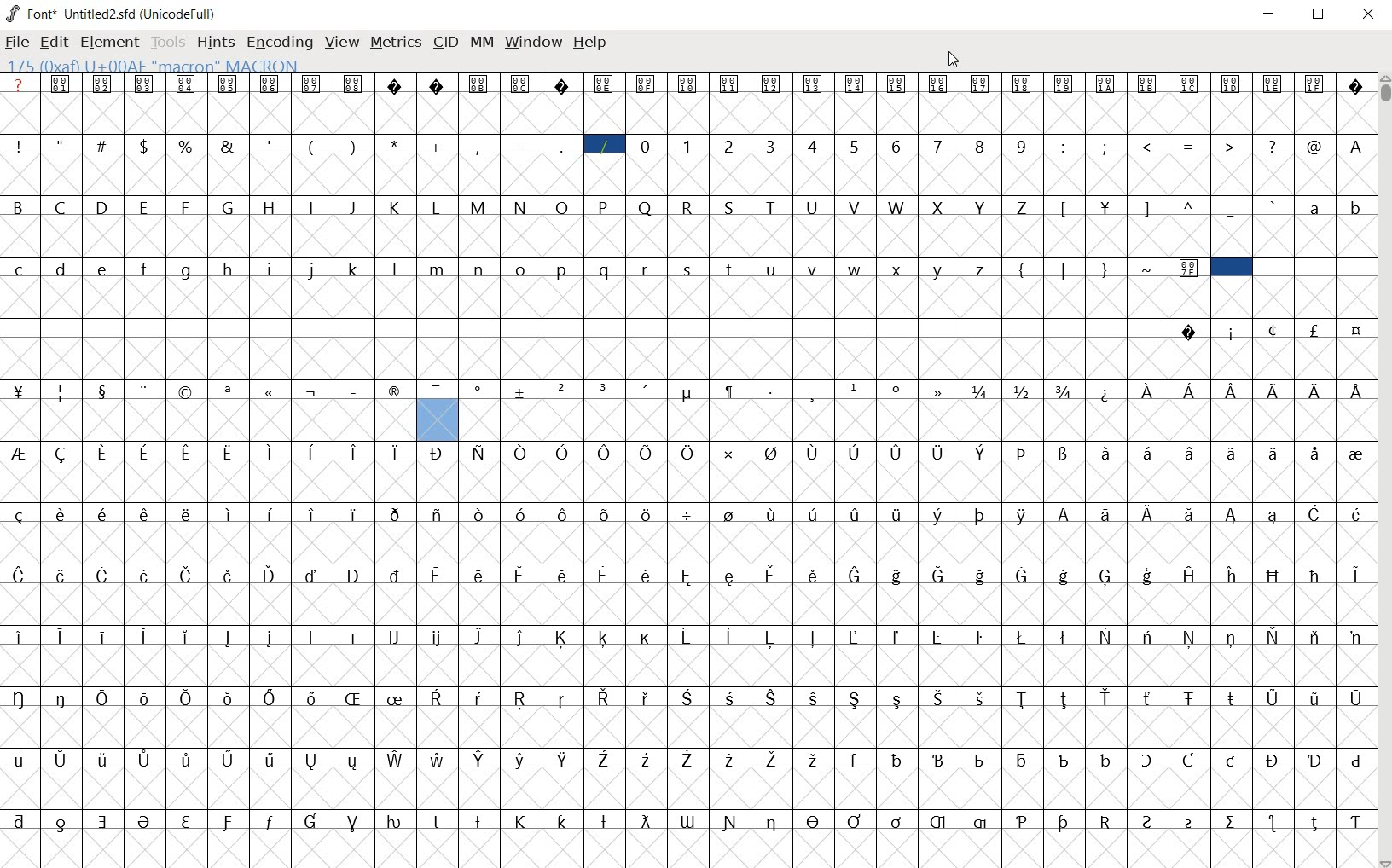 The height and width of the screenshot is (868, 1392). What do you see at coordinates (1273, 454) in the screenshot?
I see `Symbol` at bounding box center [1273, 454].